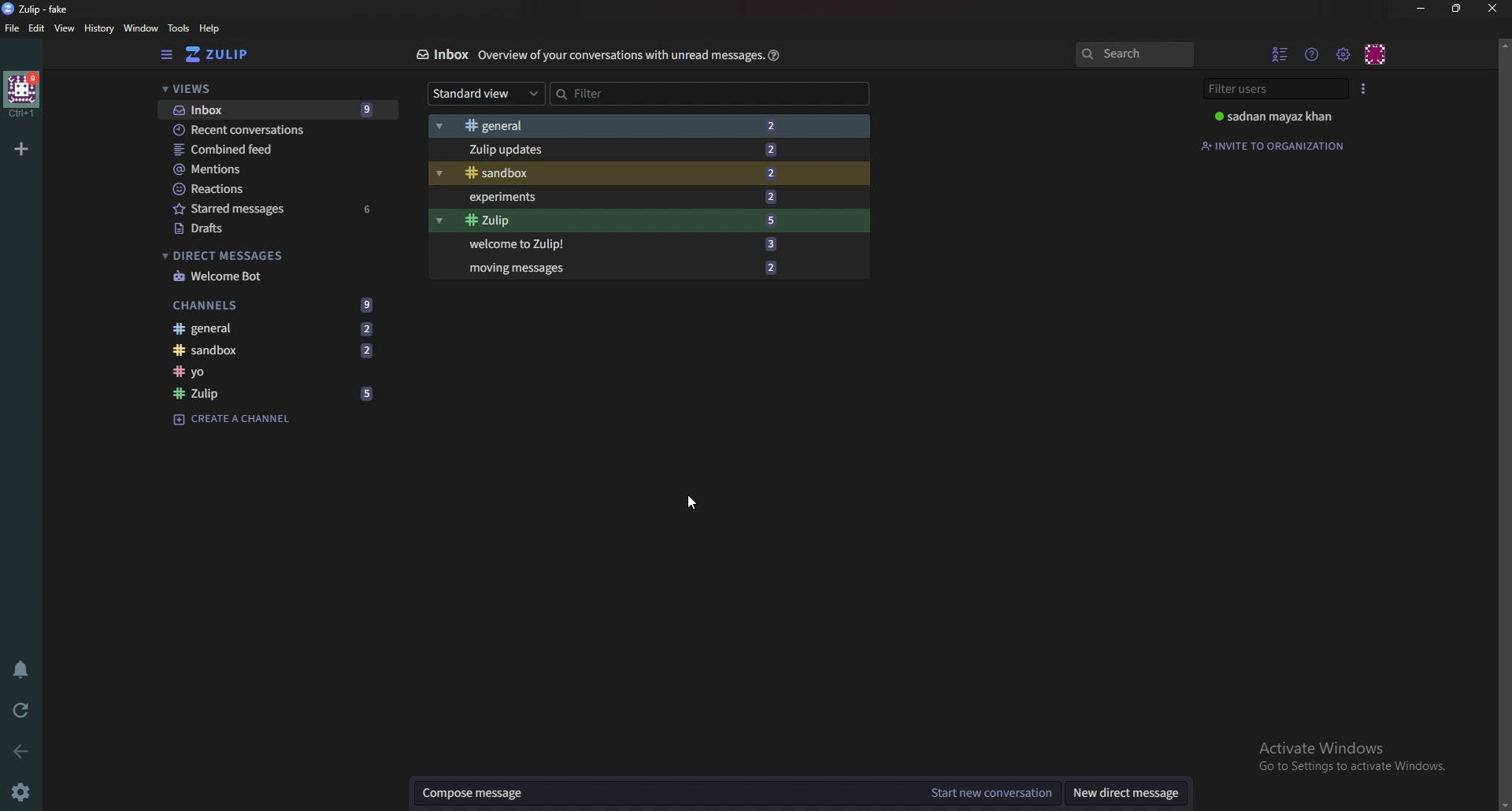  I want to click on Start new conversation, so click(992, 794).